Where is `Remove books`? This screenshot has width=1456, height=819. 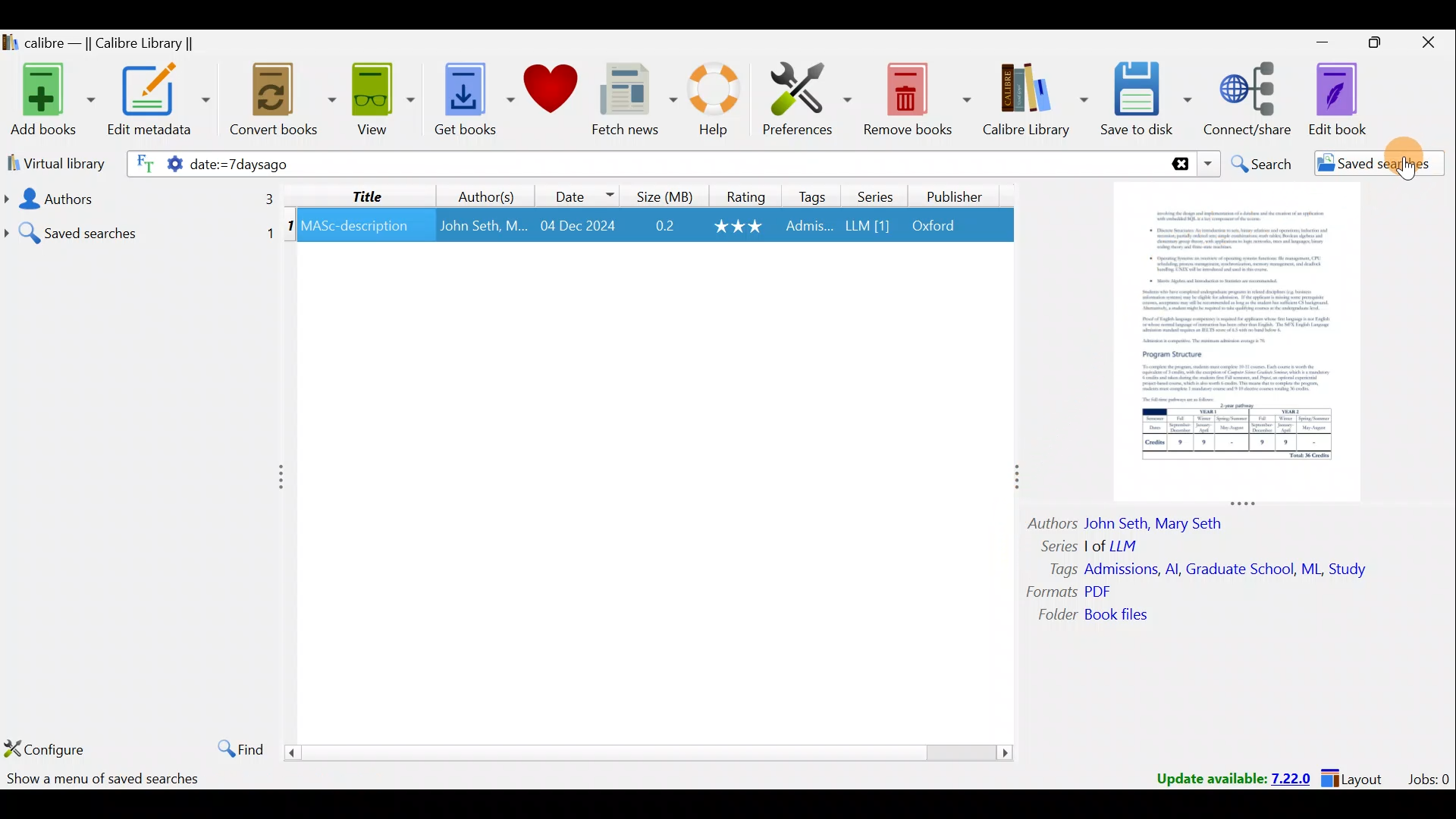
Remove books is located at coordinates (916, 96).